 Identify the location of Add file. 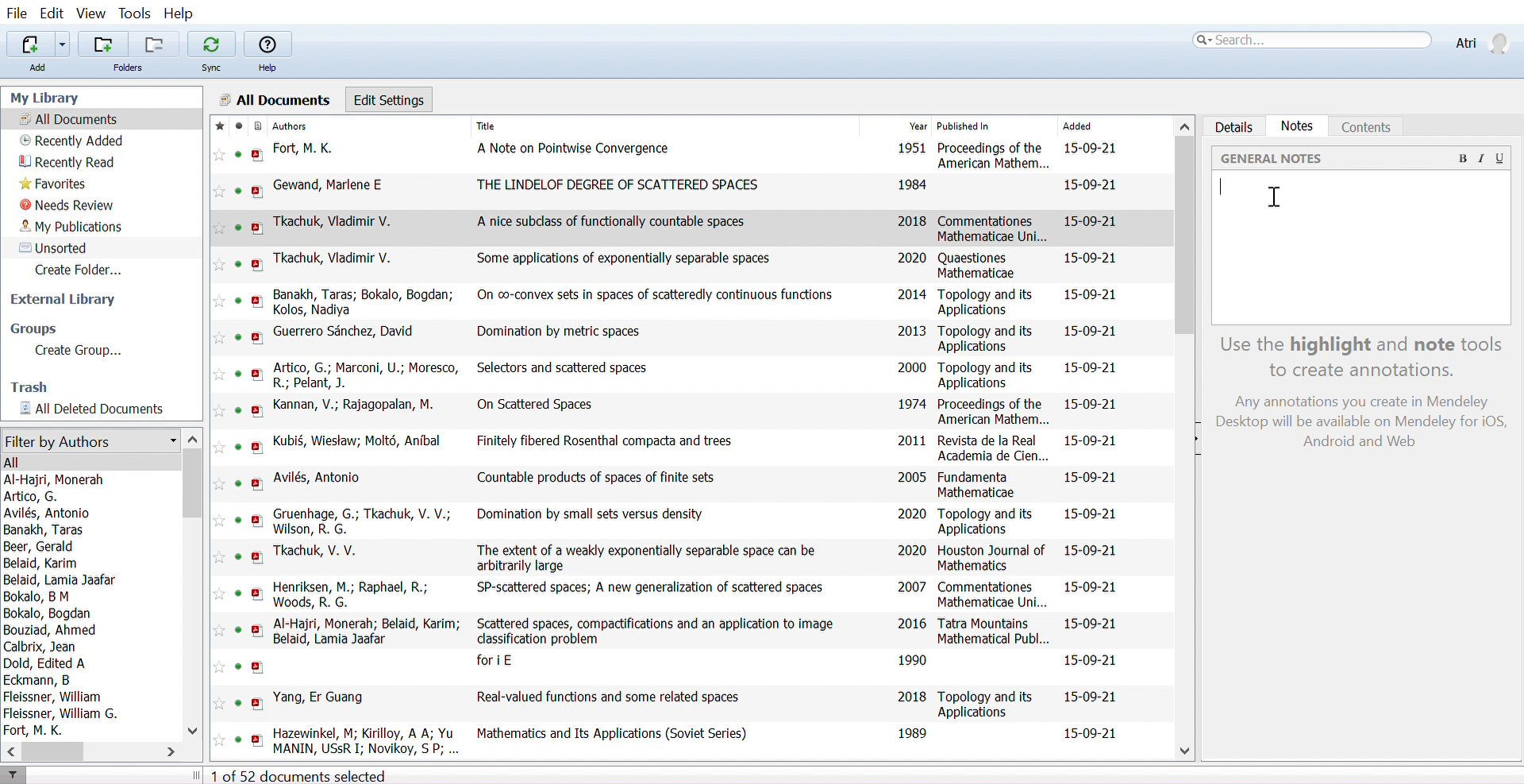
(30, 44).